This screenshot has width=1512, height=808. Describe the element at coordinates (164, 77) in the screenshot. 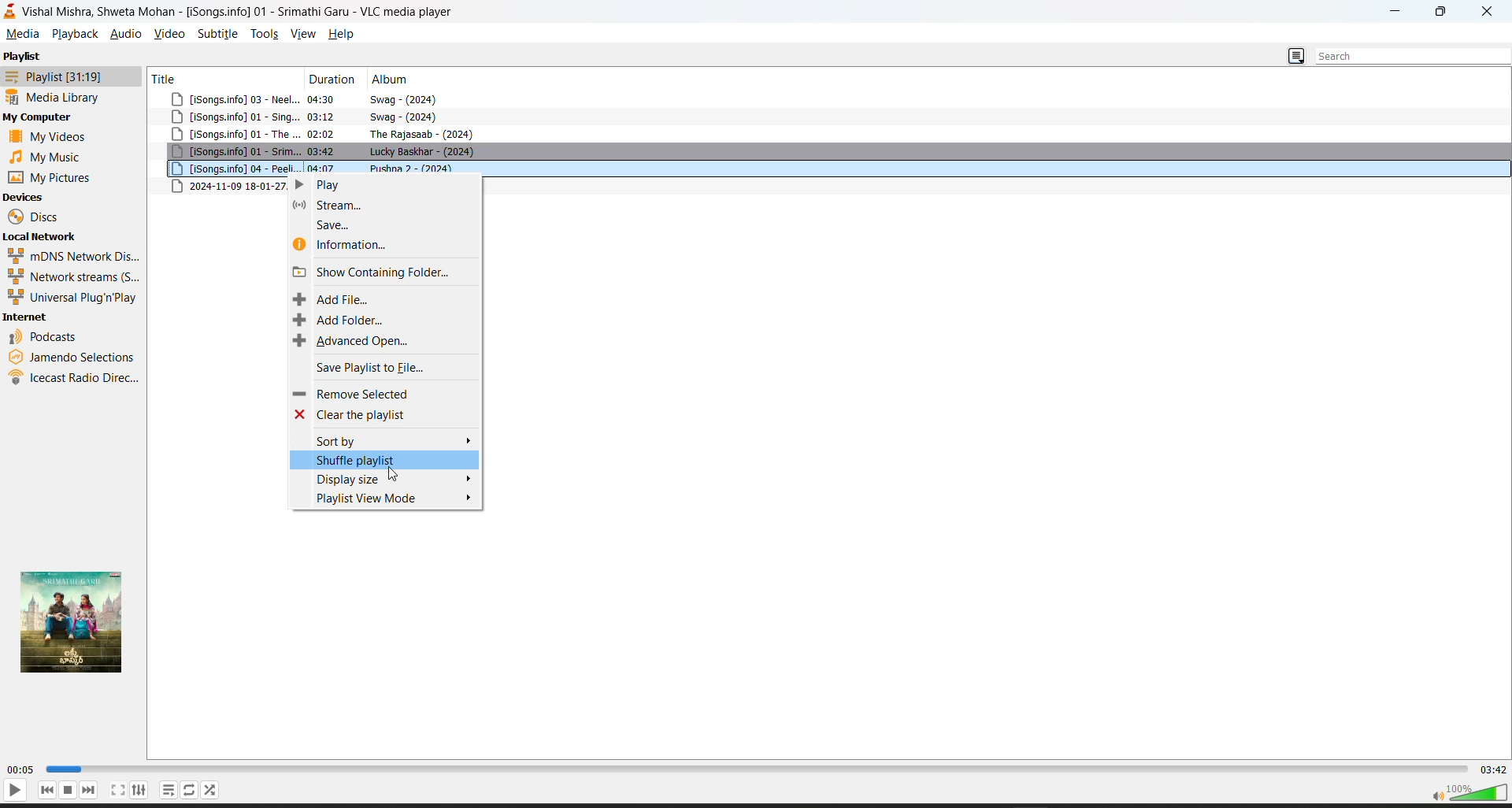

I see `title` at that location.